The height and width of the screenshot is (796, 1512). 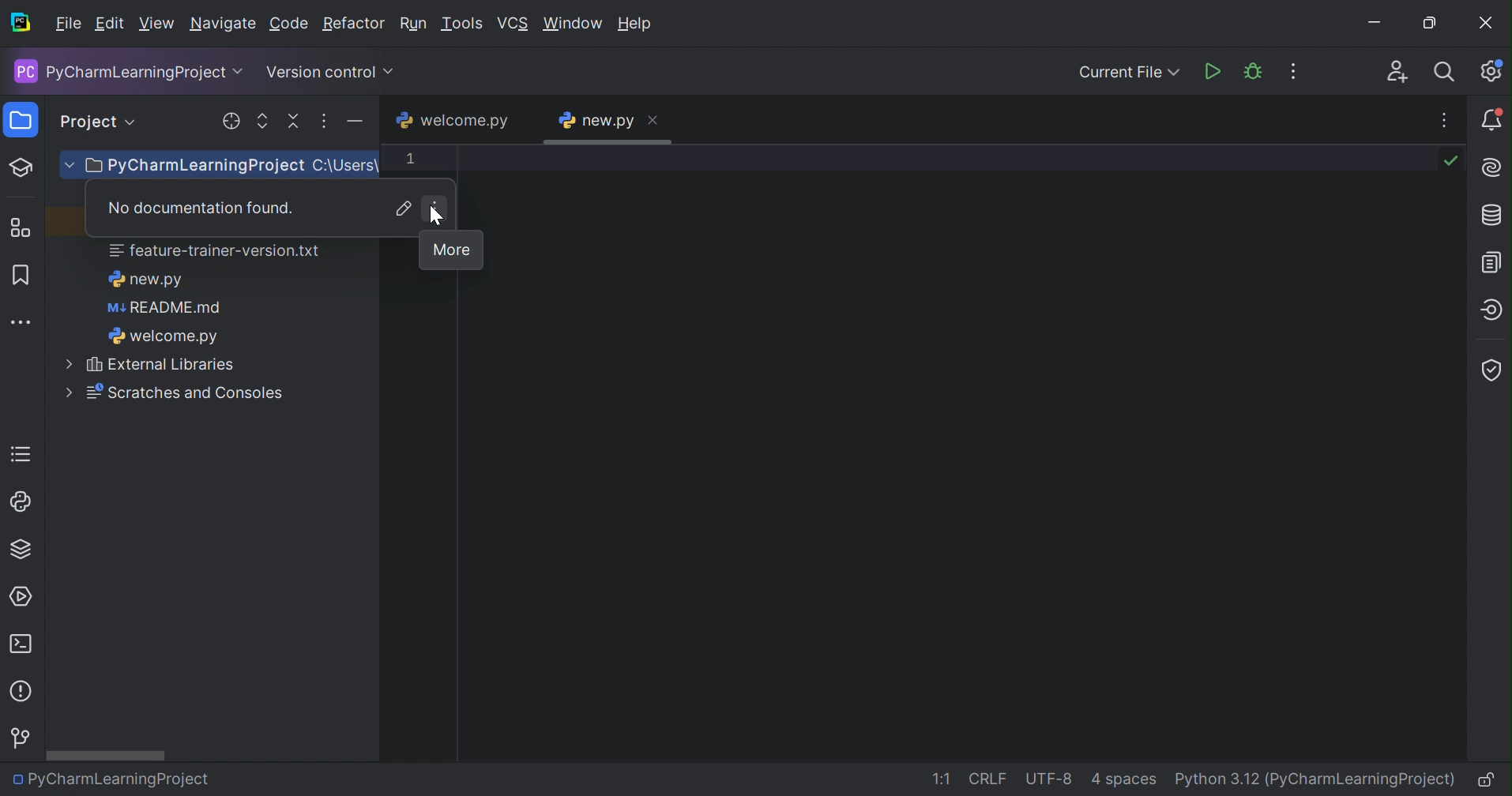 What do you see at coordinates (109, 24) in the screenshot?
I see `Edit` at bounding box center [109, 24].